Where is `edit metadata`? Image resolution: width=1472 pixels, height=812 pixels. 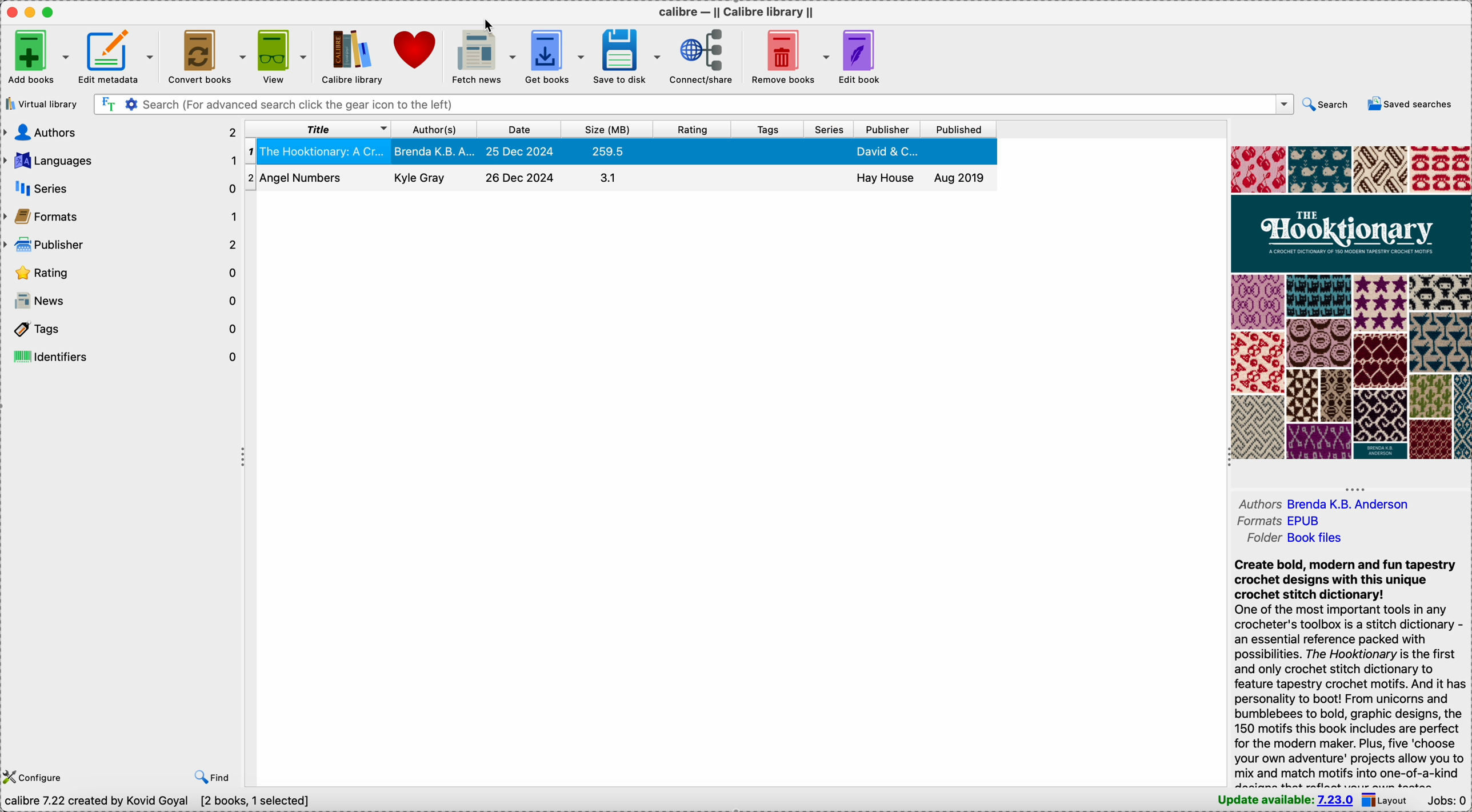
edit metadata is located at coordinates (118, 56).